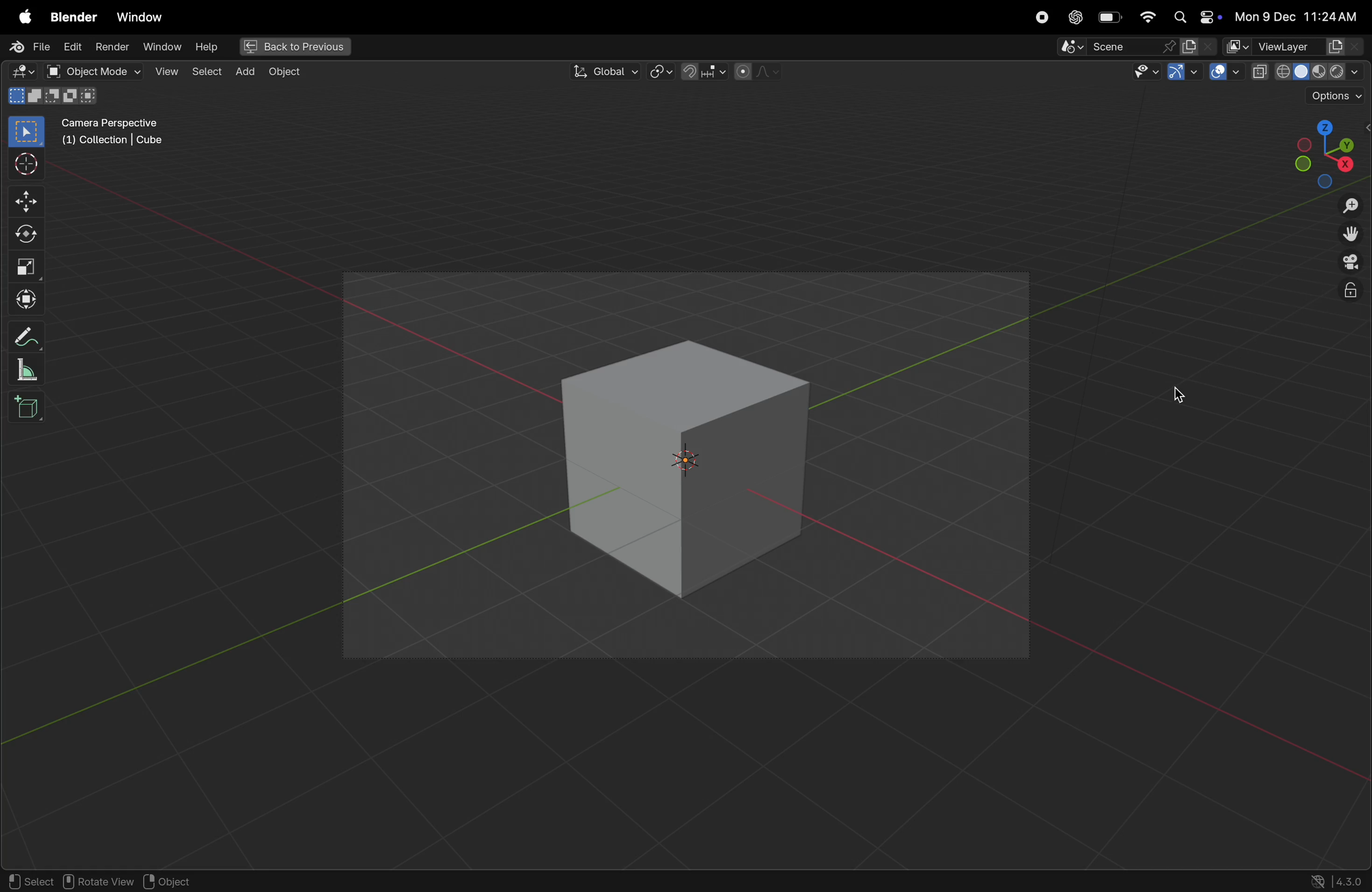 The height and width of the screenshot is (892, 1372). Describe the element at coordinates (1197, 17) in the screenshot. I see `apple widgets` at that location.